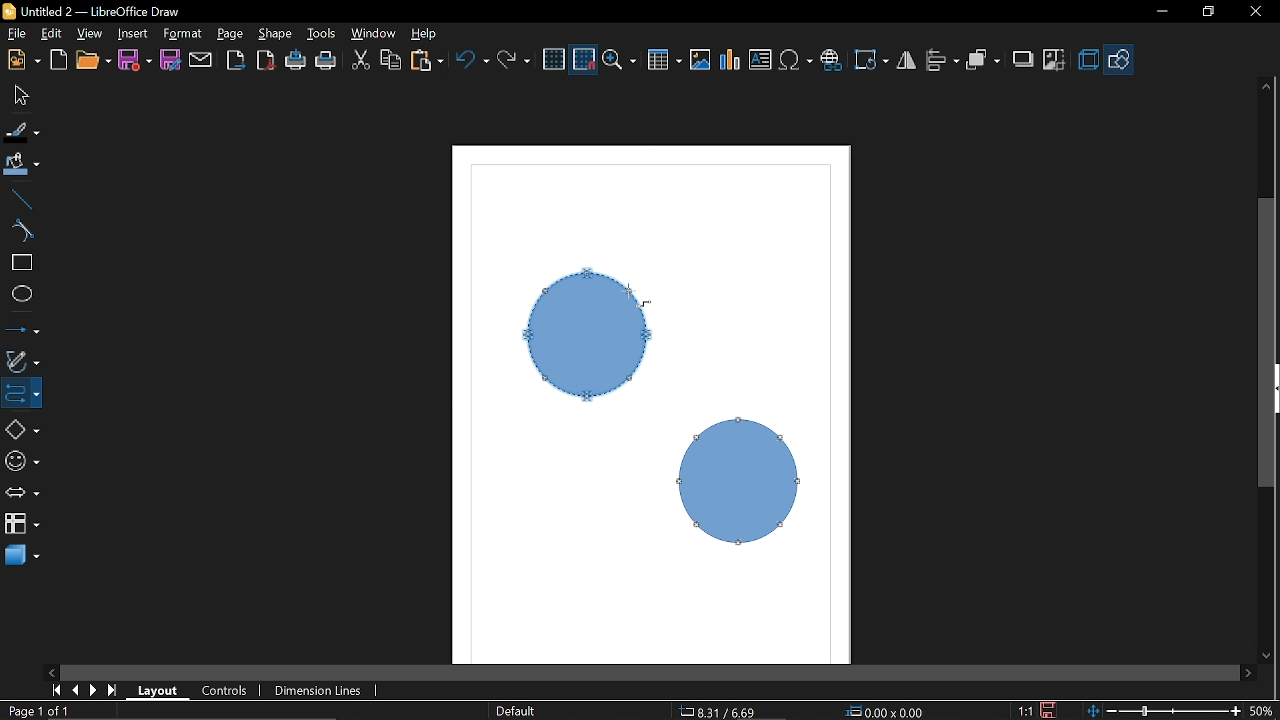 This screenshot has width=1280, height=720. What do you see at coordinates (21, 557) in the screenshot?
I see `3d shapes` at bounding box center [21, 557].